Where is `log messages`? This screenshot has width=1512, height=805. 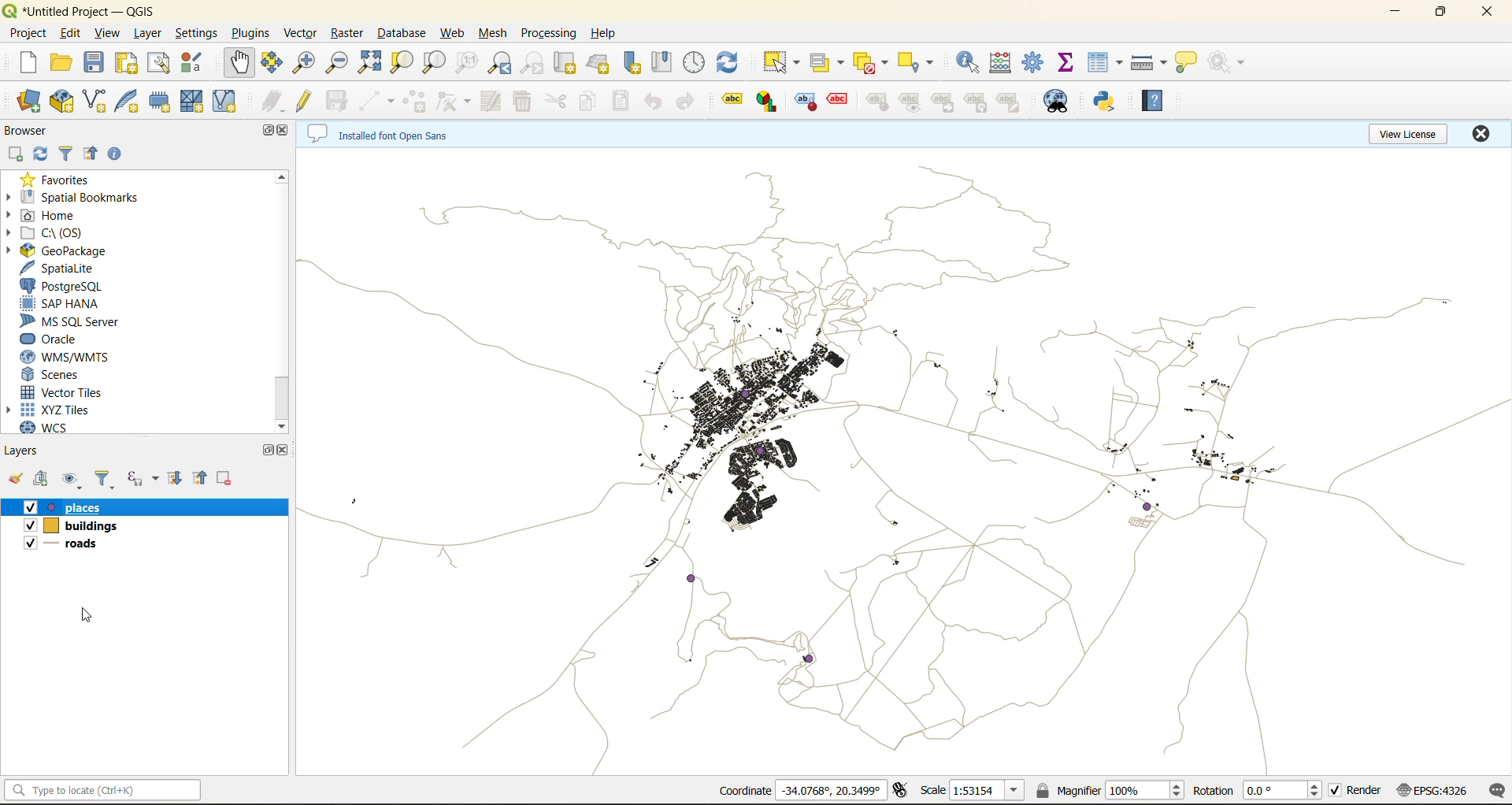
log messages is located at coordinates (1498, 791).